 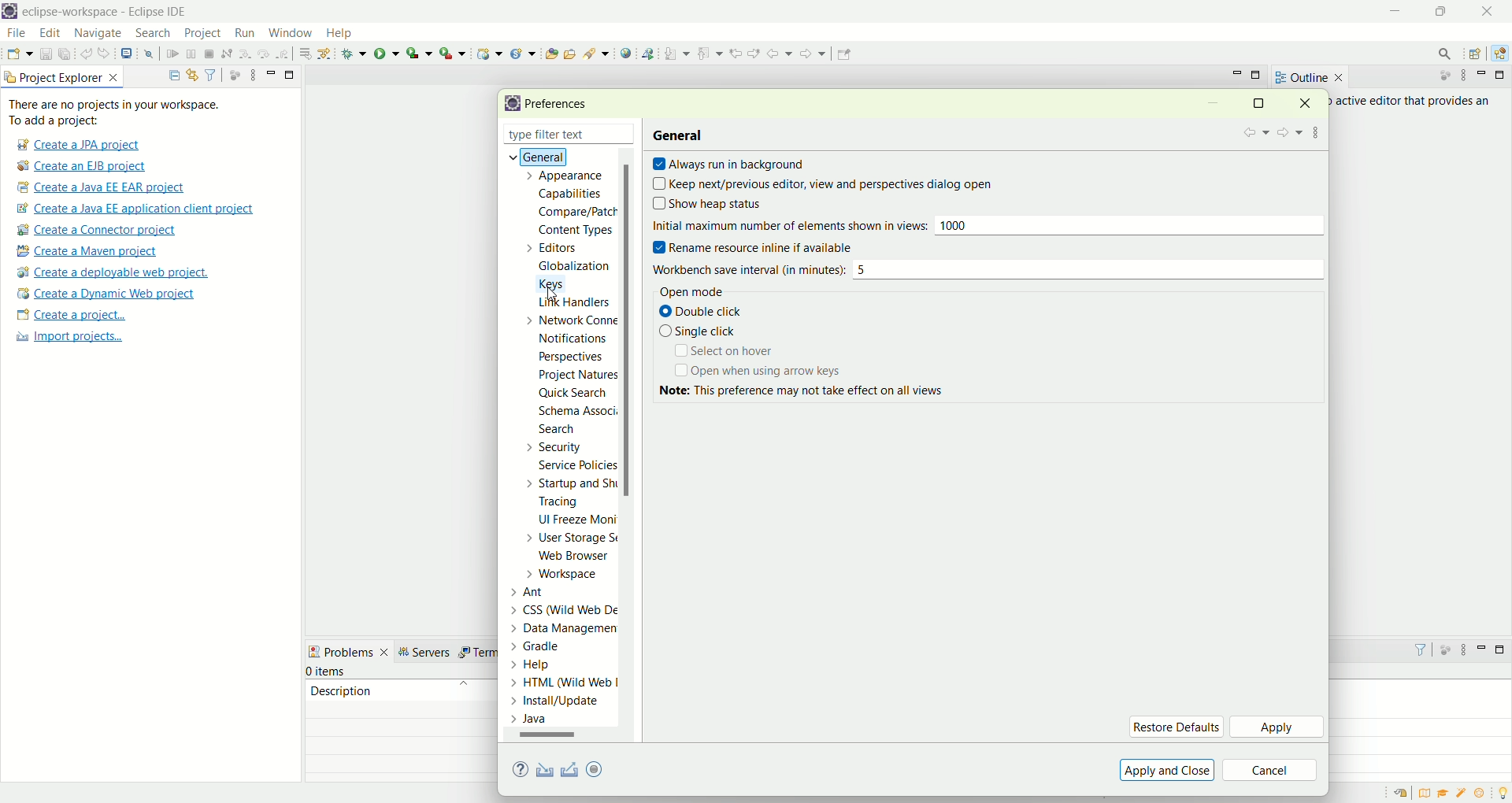 What do you see at coordinates (87, 54) in the screenshot?
I see `undo` at bounding box center [87, 54].